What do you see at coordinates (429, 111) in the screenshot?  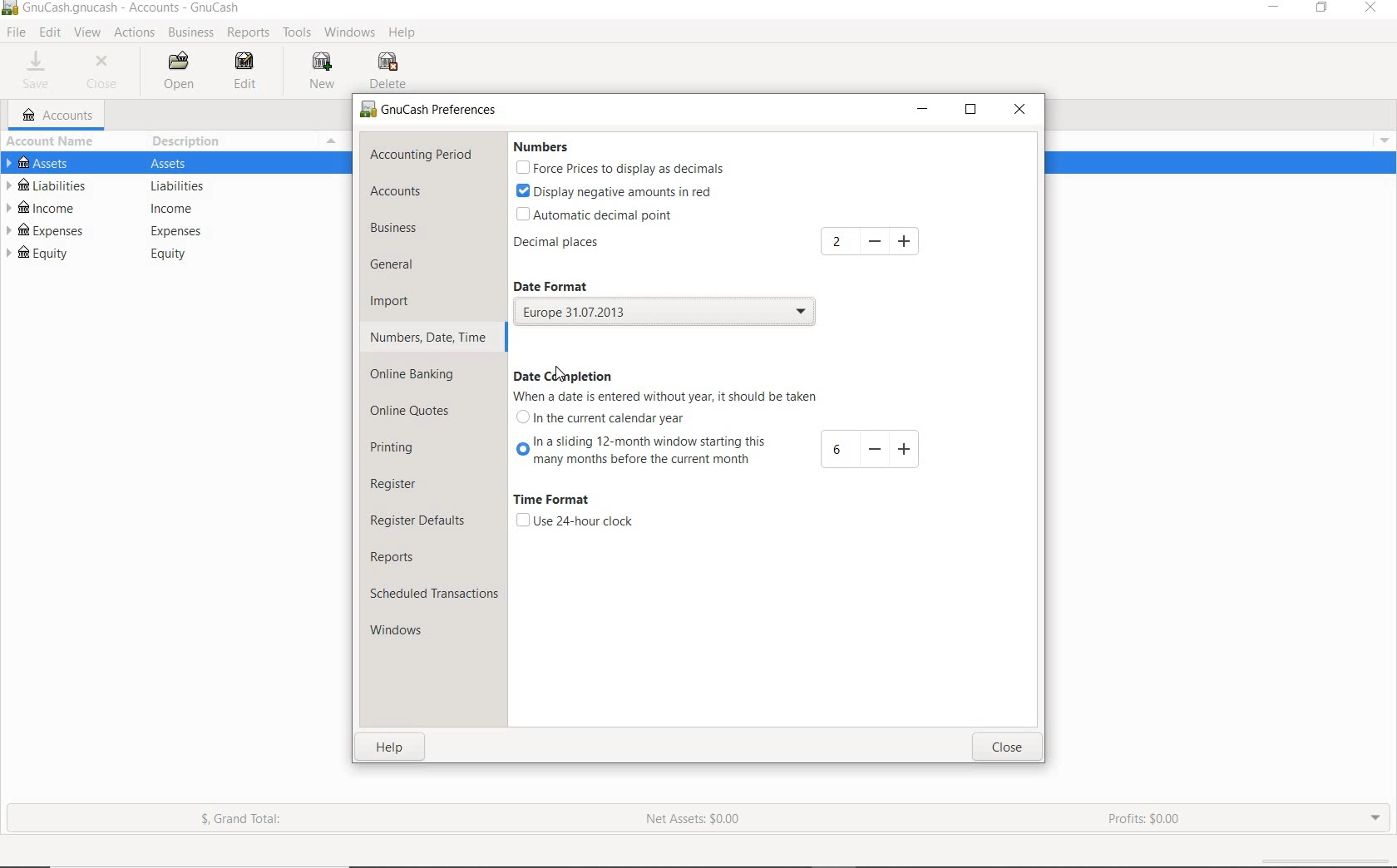 I see `GnuCash Preferences` at bounding box center [429, 111].